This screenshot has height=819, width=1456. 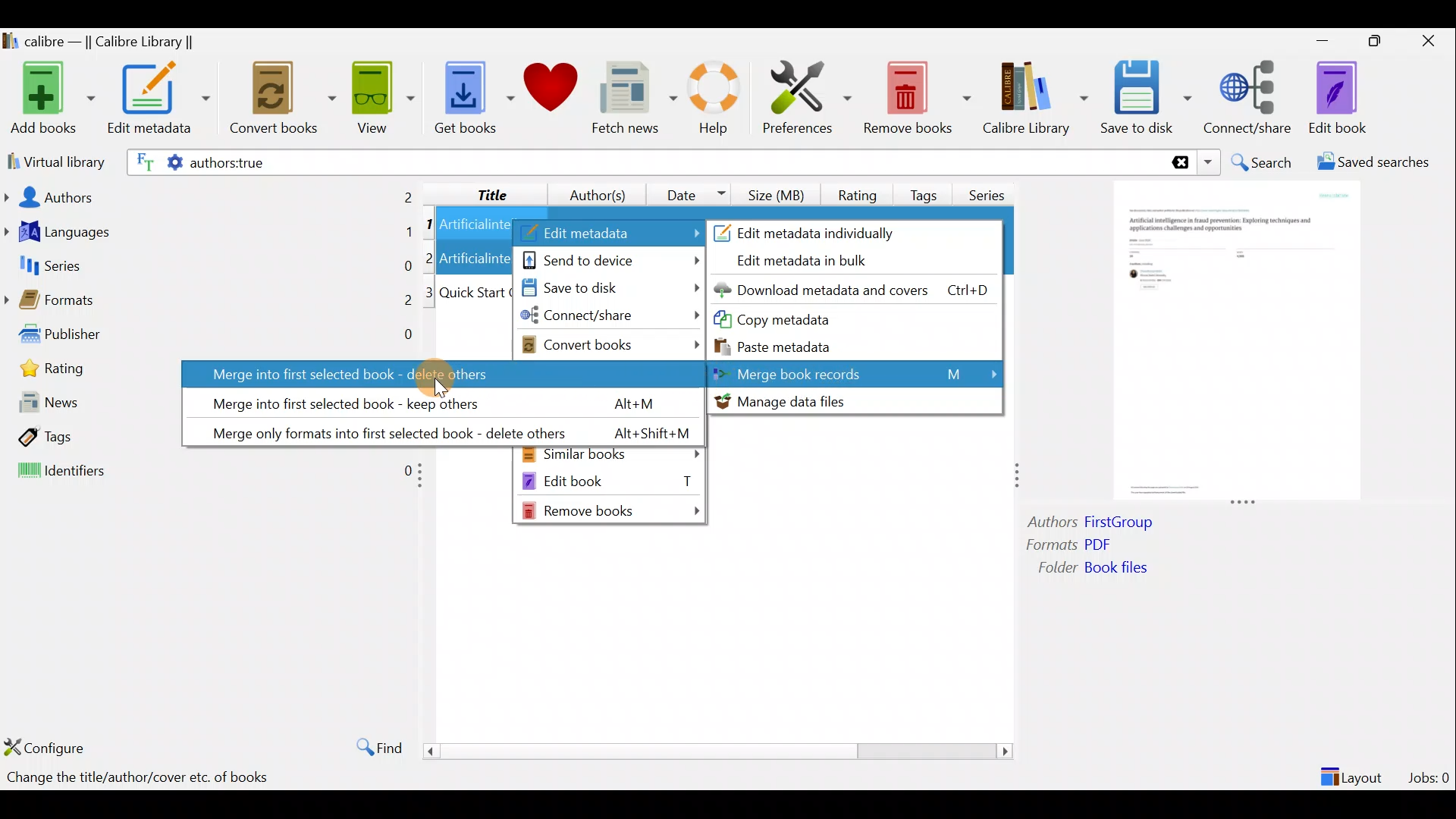 I want to click on Preferences, so click(x=807, y=96).